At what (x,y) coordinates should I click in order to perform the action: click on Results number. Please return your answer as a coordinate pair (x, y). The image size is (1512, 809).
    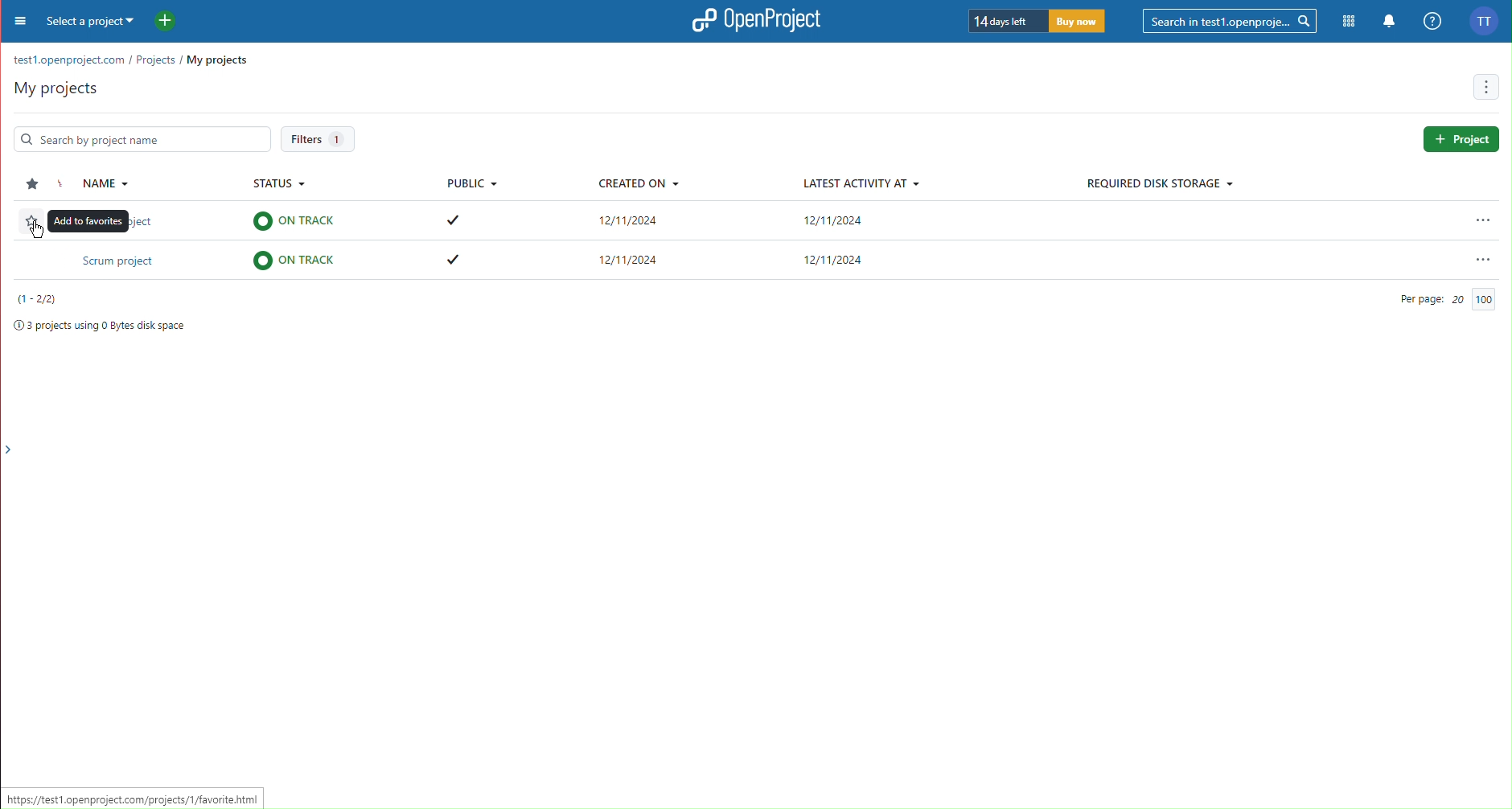
    Looking at the image, I should click on (39, 299).